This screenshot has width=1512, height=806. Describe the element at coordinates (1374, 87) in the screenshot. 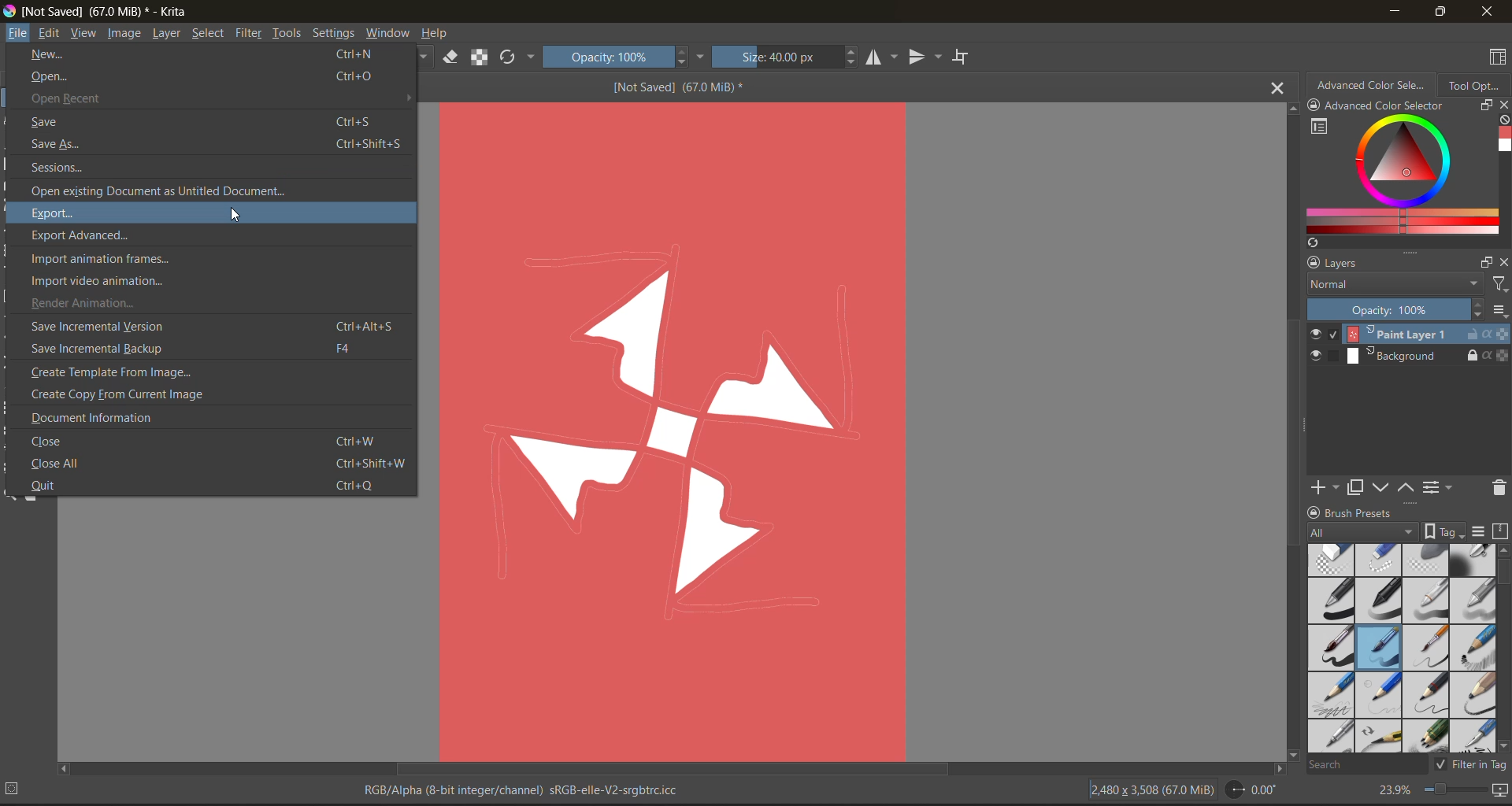

I see `advanced color selector` at that location.